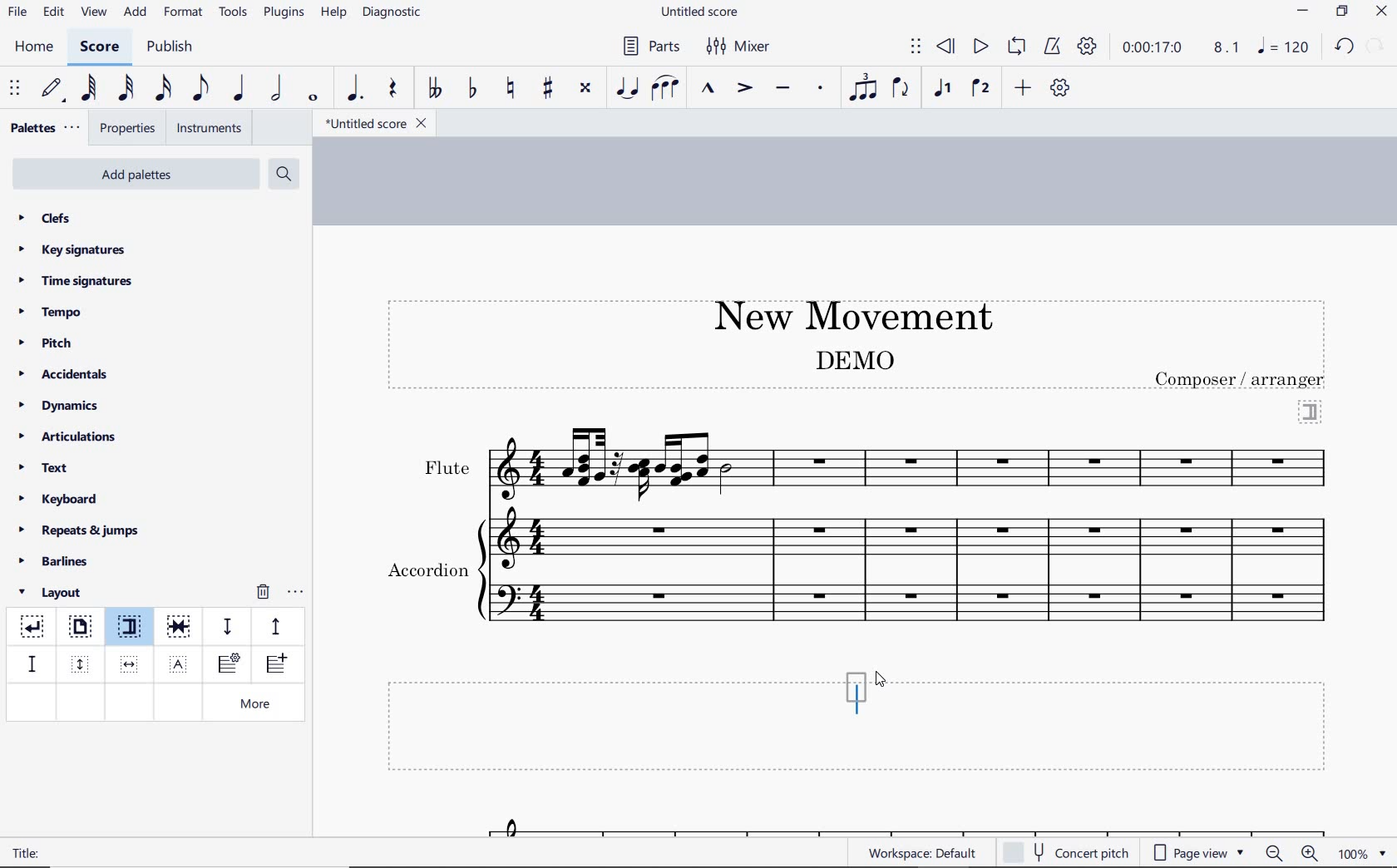 The height and width of the screenshot is (868, 1397). Describe the element at coordinates (914, 462) in the screenshot. I see `Instrument: Flute` at that location.